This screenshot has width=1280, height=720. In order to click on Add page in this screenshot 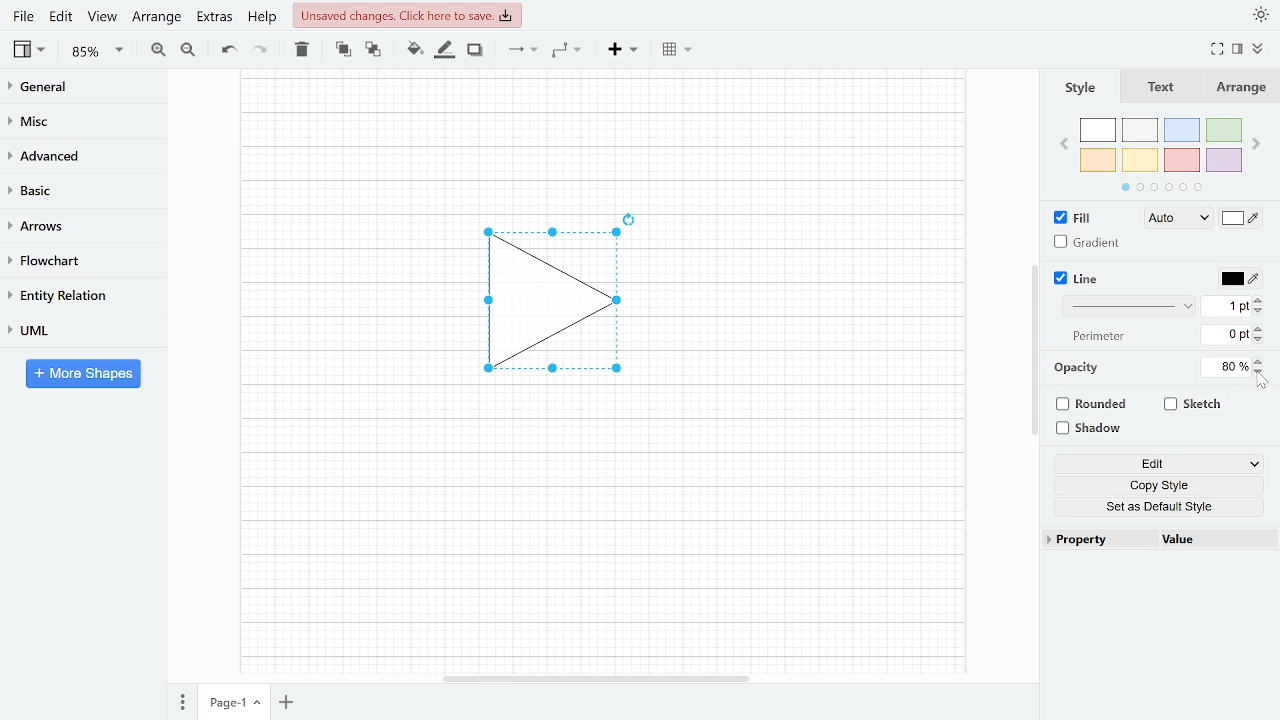, I will do `click(290, 704)`.